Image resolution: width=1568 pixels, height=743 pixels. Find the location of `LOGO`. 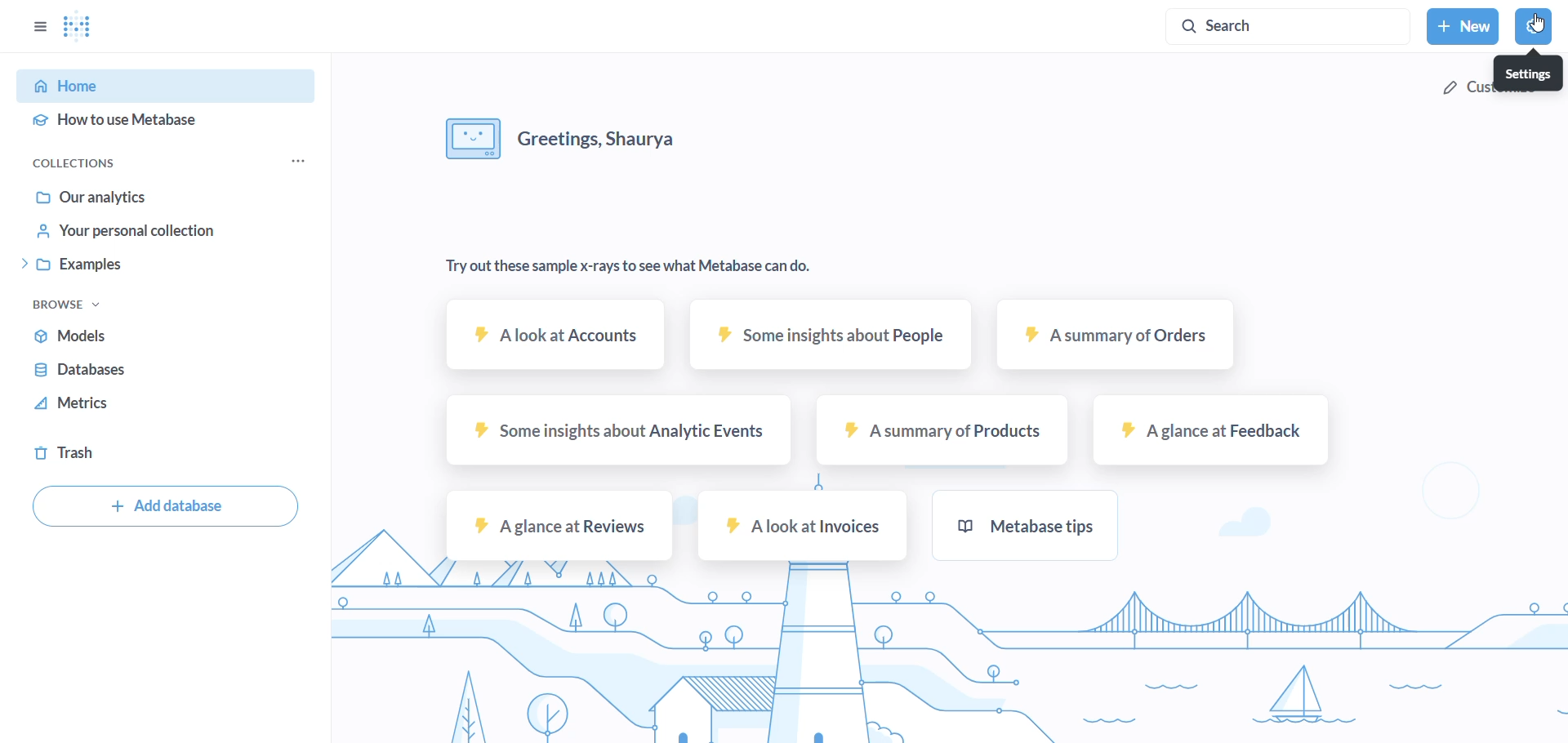

LOGO is located at coordinates (91, 29).